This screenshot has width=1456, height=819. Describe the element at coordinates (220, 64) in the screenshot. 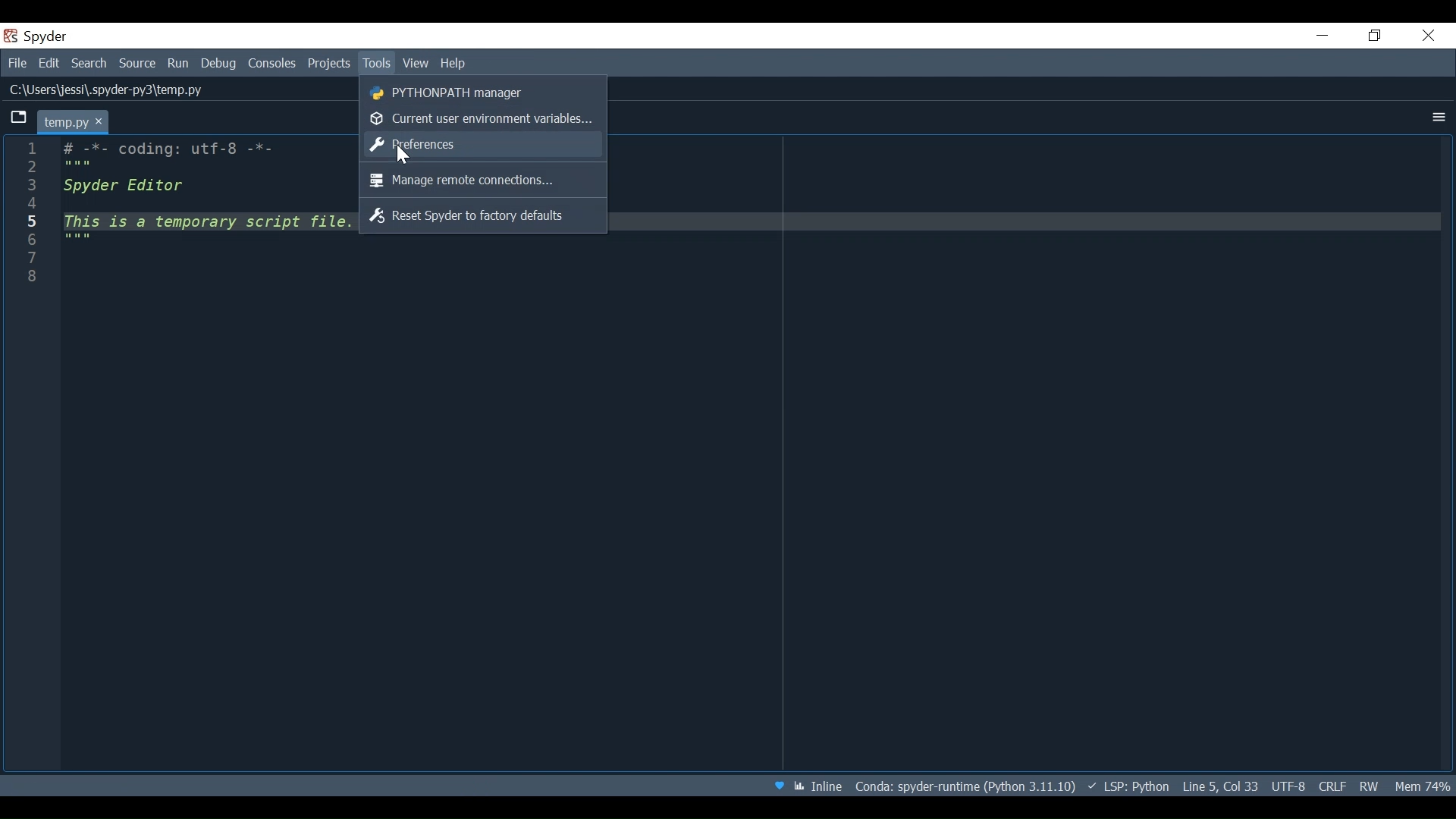

I see `Debug` at that location.